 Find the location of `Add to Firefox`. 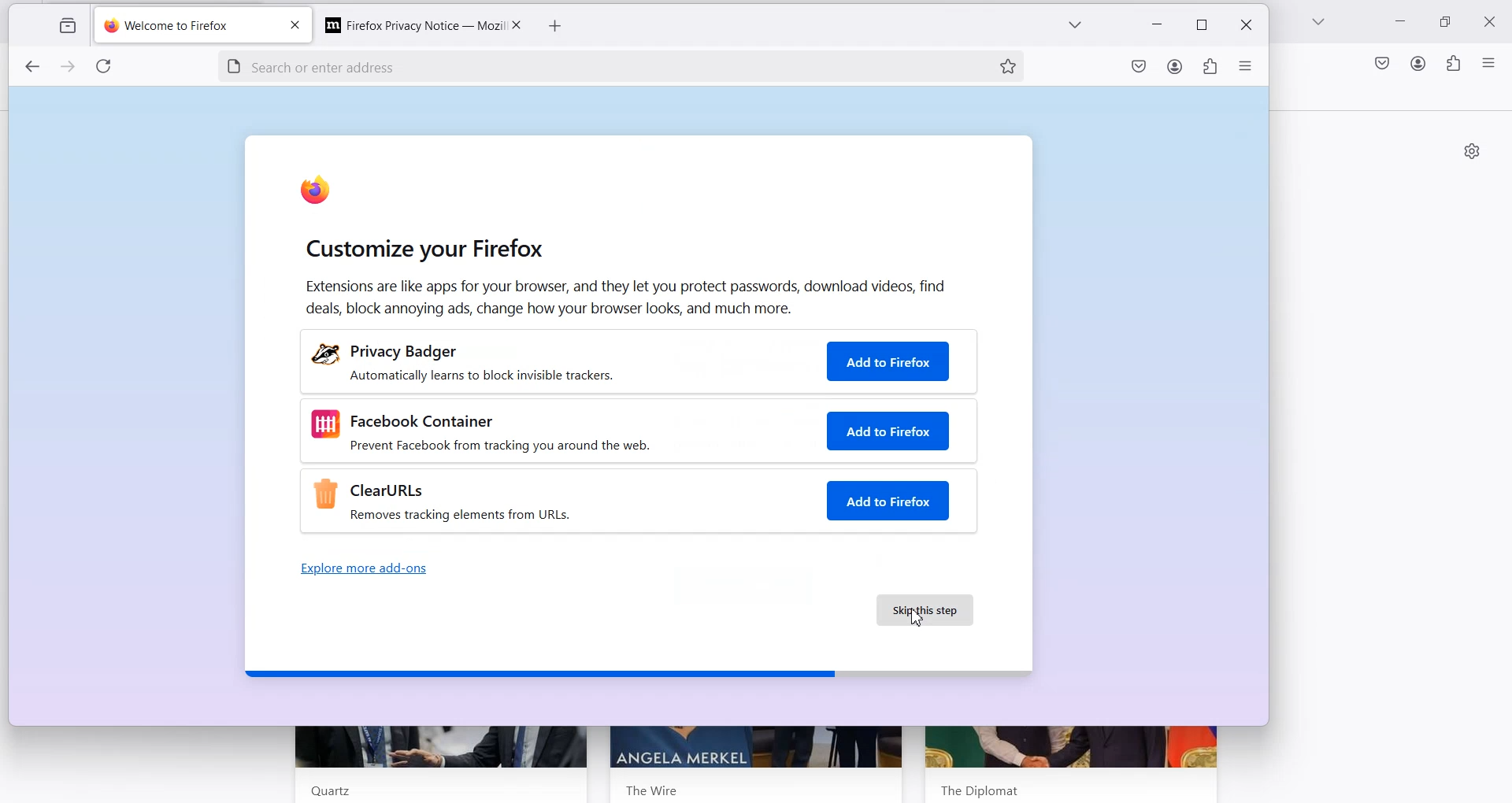

Add to Firefox is located at coordinates (888, 501).